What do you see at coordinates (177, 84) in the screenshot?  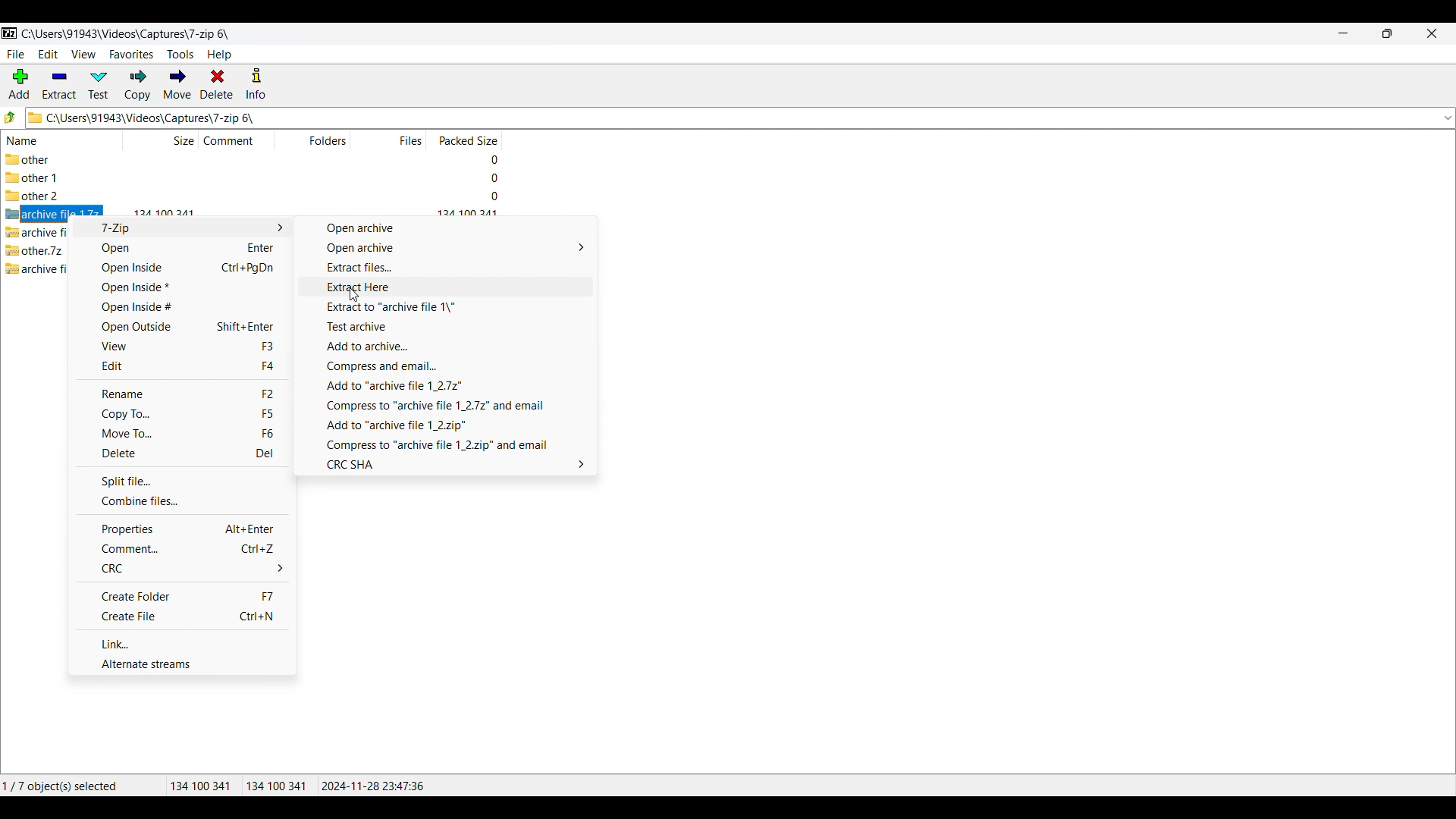 I see `Move` at bounding box center [177, 84].